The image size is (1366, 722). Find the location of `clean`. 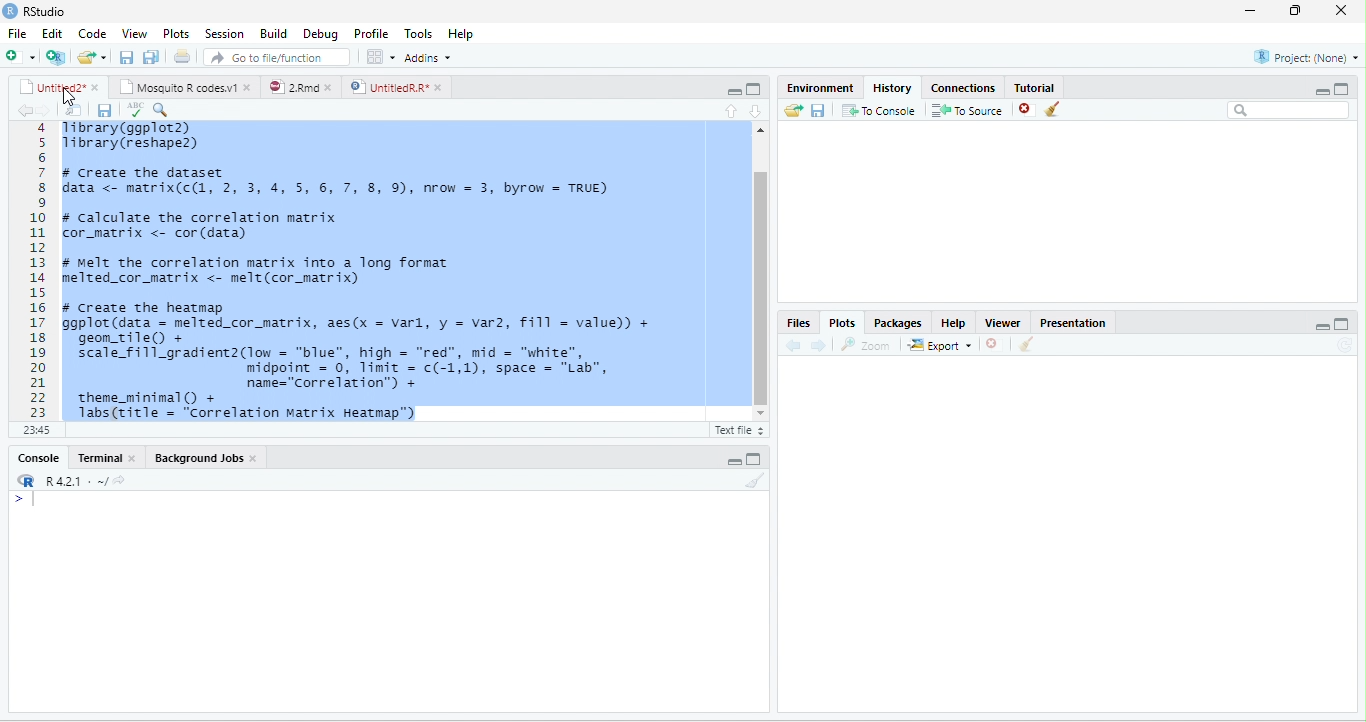

clean is located at coordinates (1066, 111).